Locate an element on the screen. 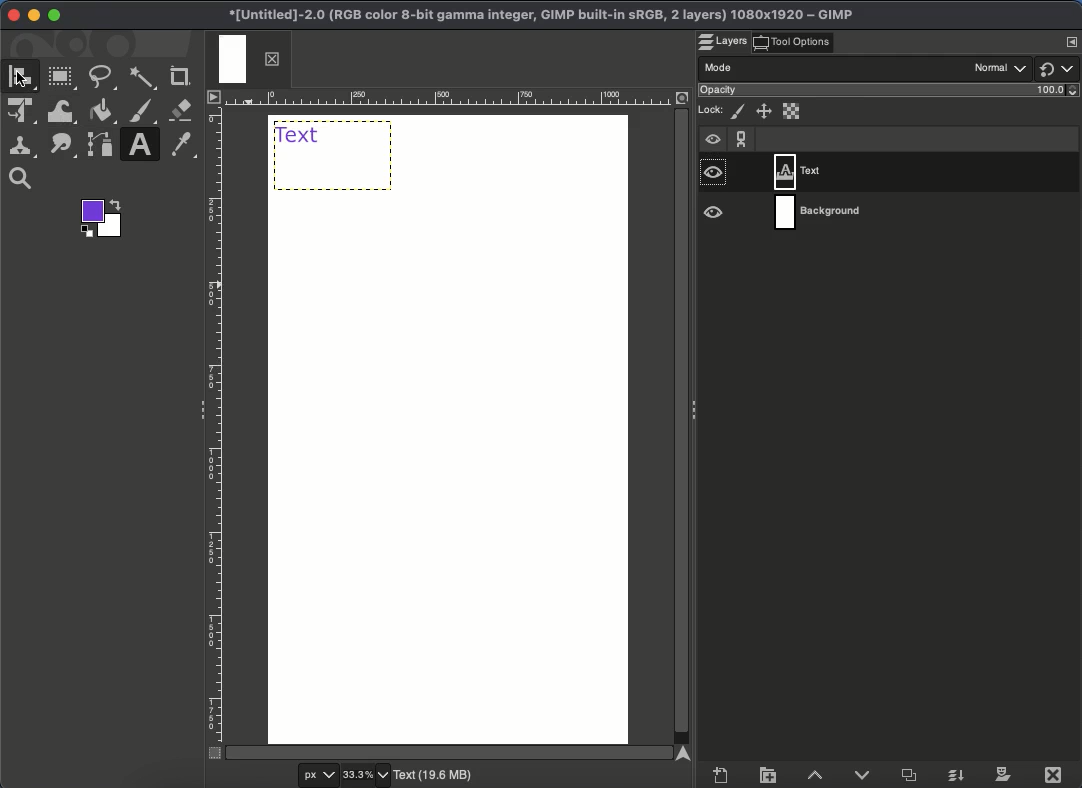 This screenshot has height=788, width=1082. Path is located at coordinates (64, 146).